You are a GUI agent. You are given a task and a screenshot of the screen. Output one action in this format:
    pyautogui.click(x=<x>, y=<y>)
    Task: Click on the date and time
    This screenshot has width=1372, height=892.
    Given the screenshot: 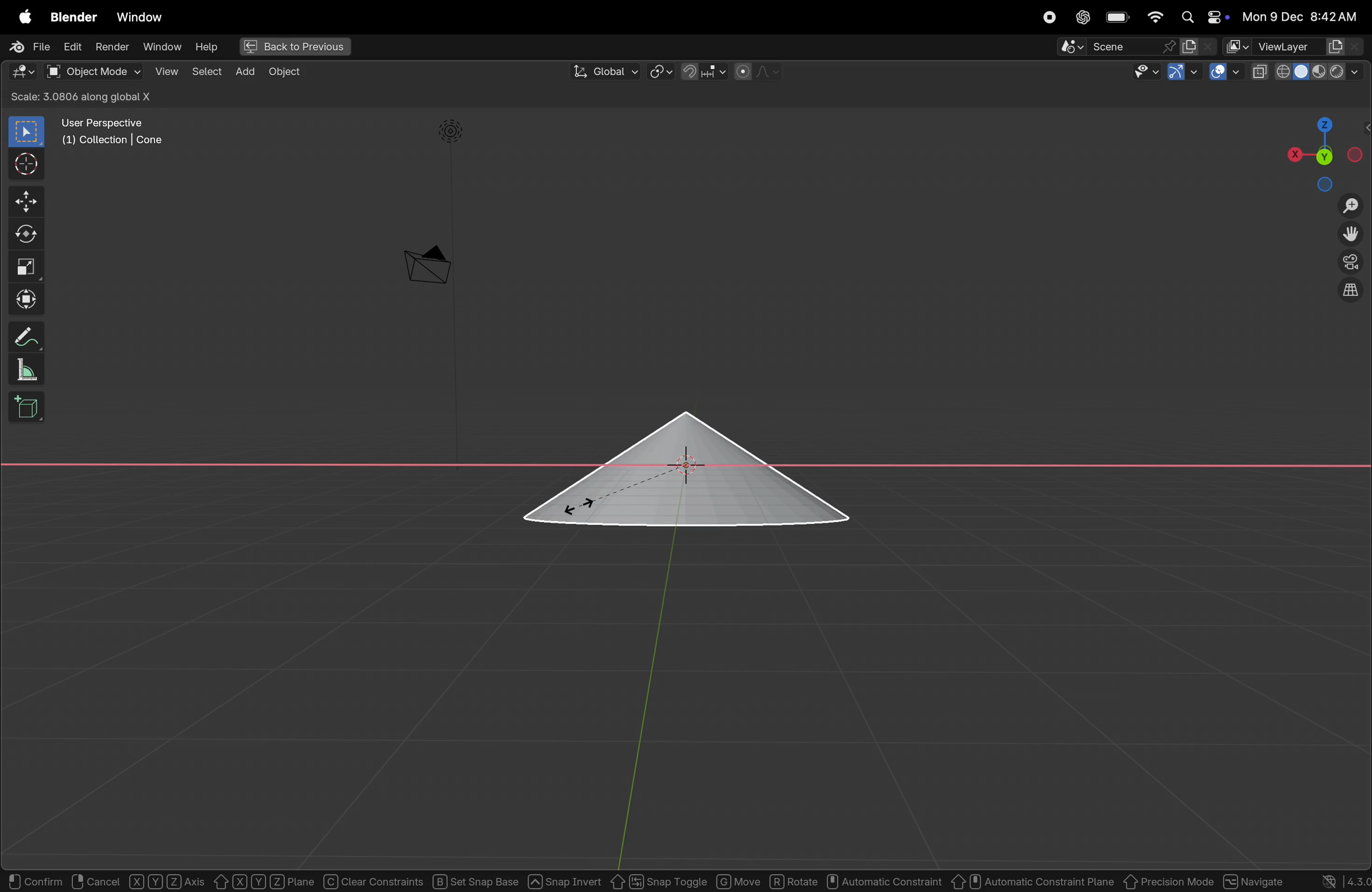 What is the action you would take?
    pyautogui.click(x=1299, y=16)
    